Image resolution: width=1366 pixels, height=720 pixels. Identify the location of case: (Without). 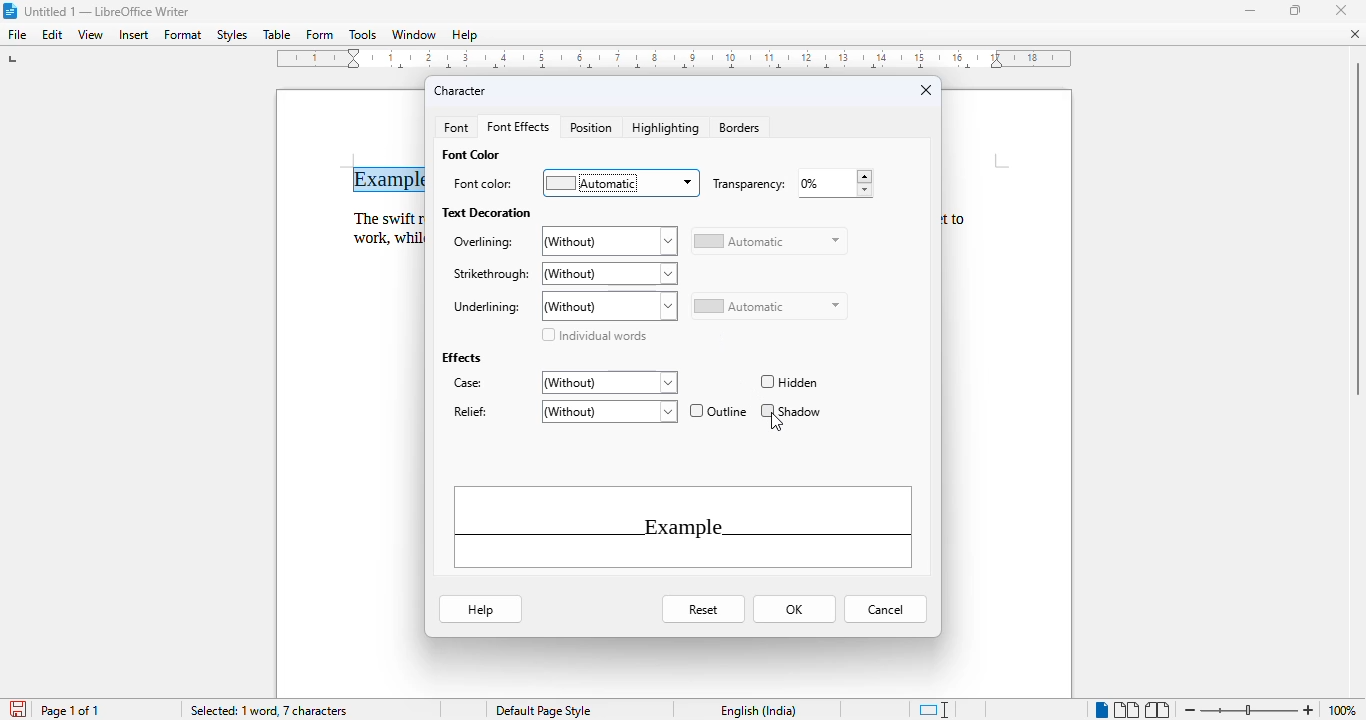
(563, 383).